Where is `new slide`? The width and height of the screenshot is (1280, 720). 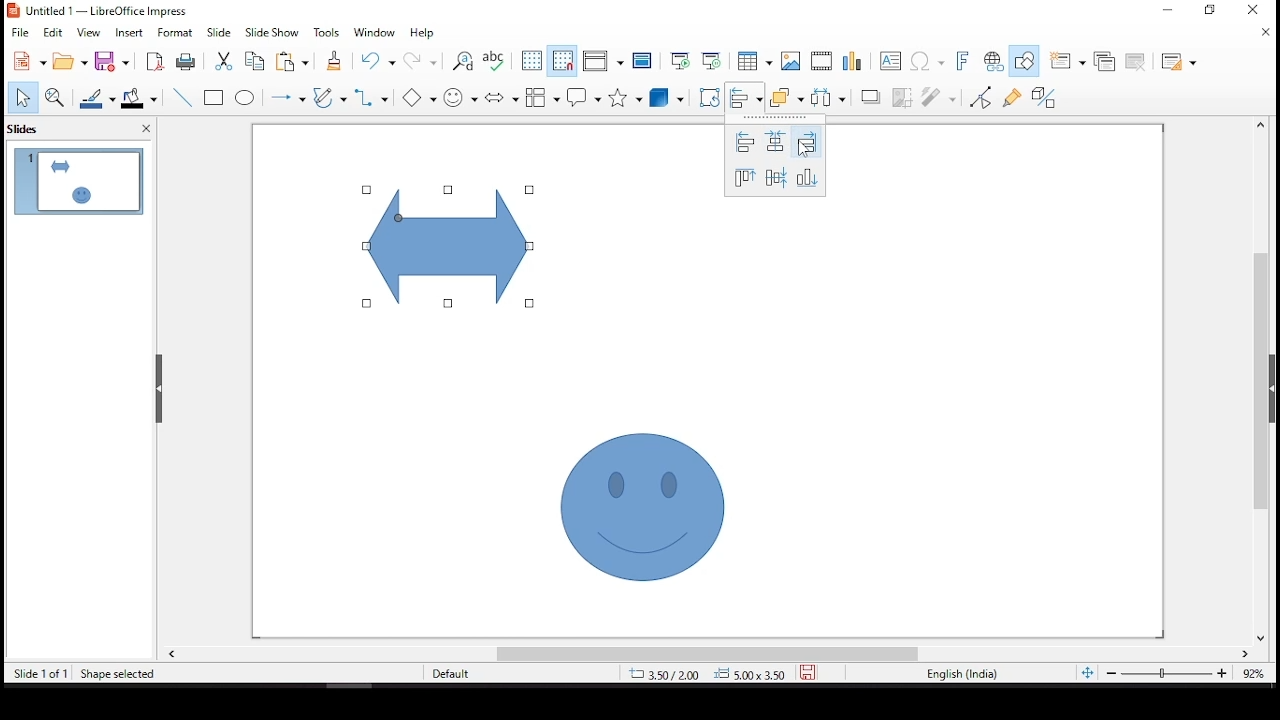
new slide is located at coordinates (1067, 60).